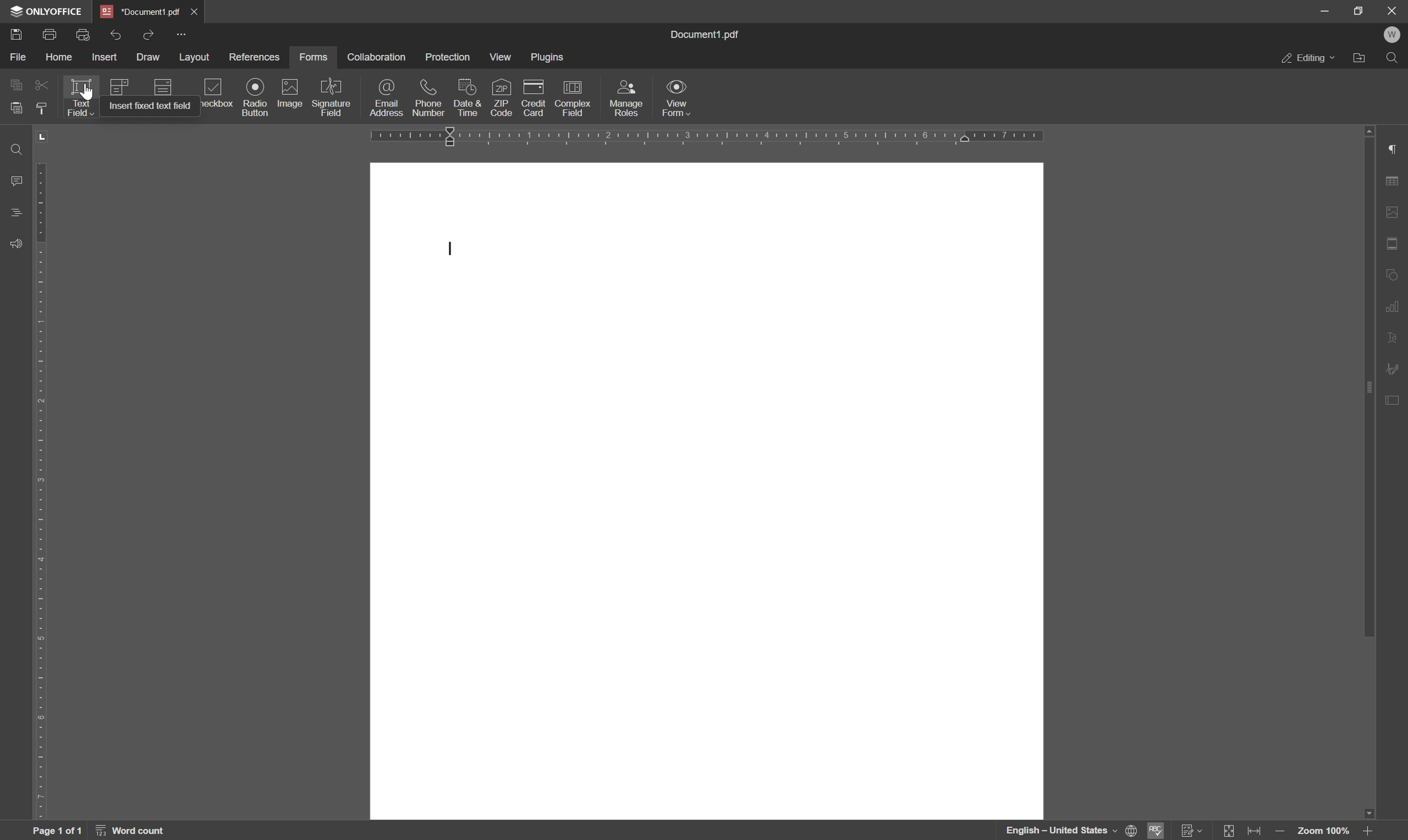 Image resolution: width=1408 pixels, height=840 pixels. What do you see at coordinates (85, 92) in the screenshot?
I see `pointer cursor` at bounding box center [85, 92].